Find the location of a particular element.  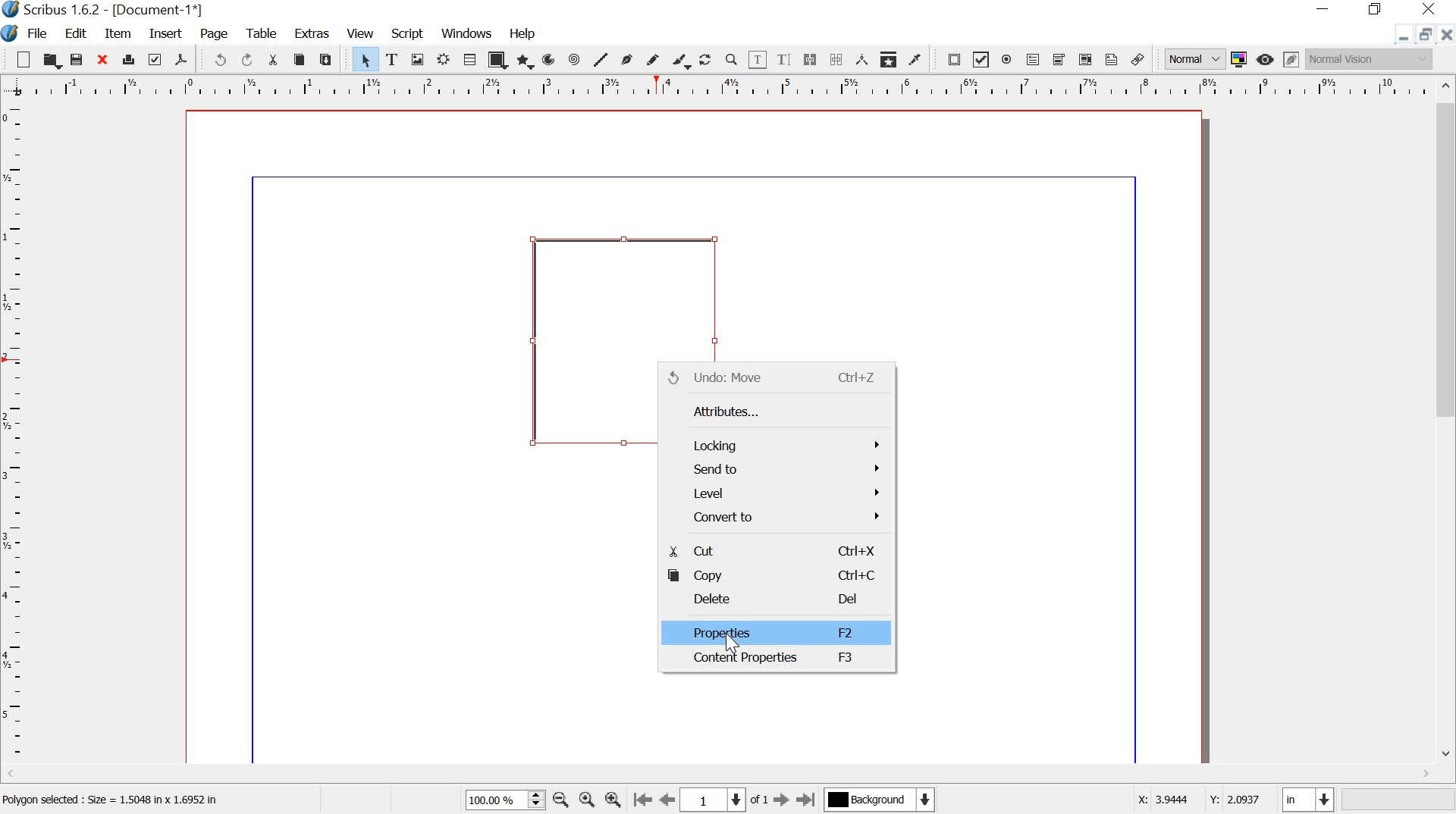

Background is located at coordinates (882, 801).